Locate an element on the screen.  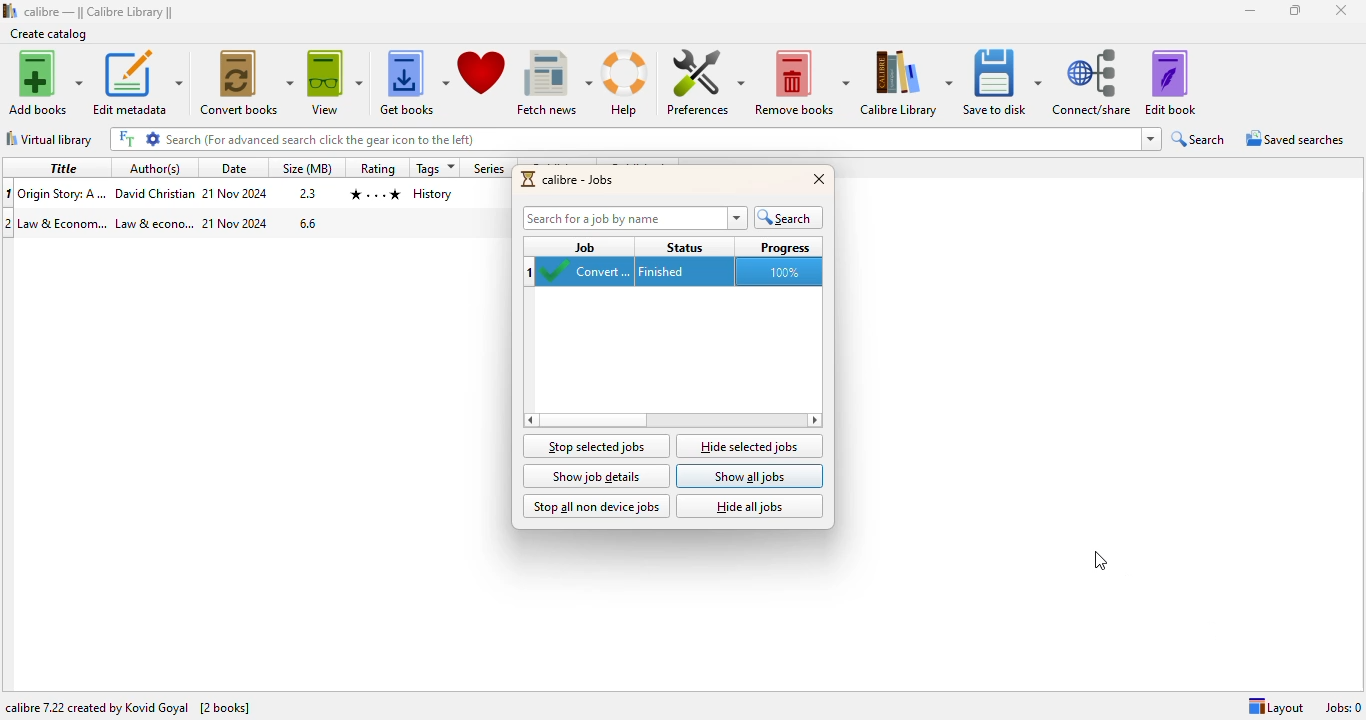
preferences is located at coordinates (705, 82).